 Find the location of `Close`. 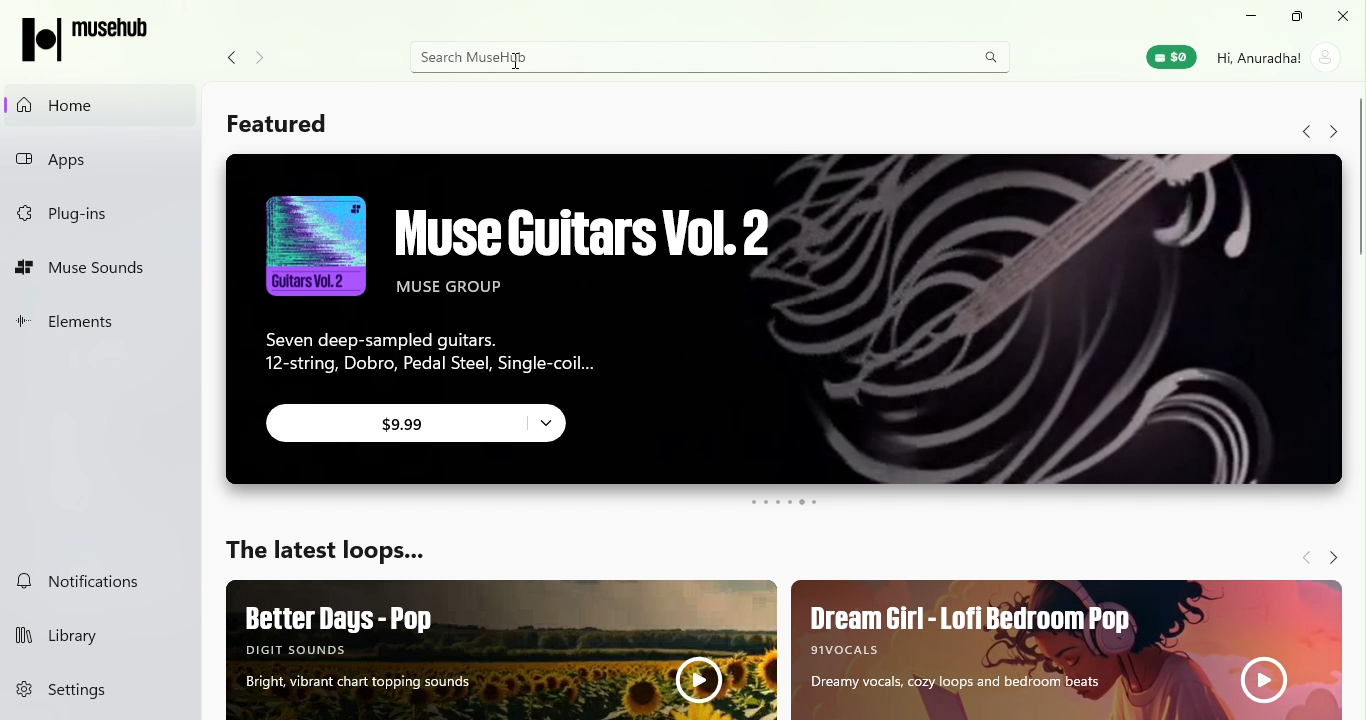

Close is located at coordinates (1345, 17).